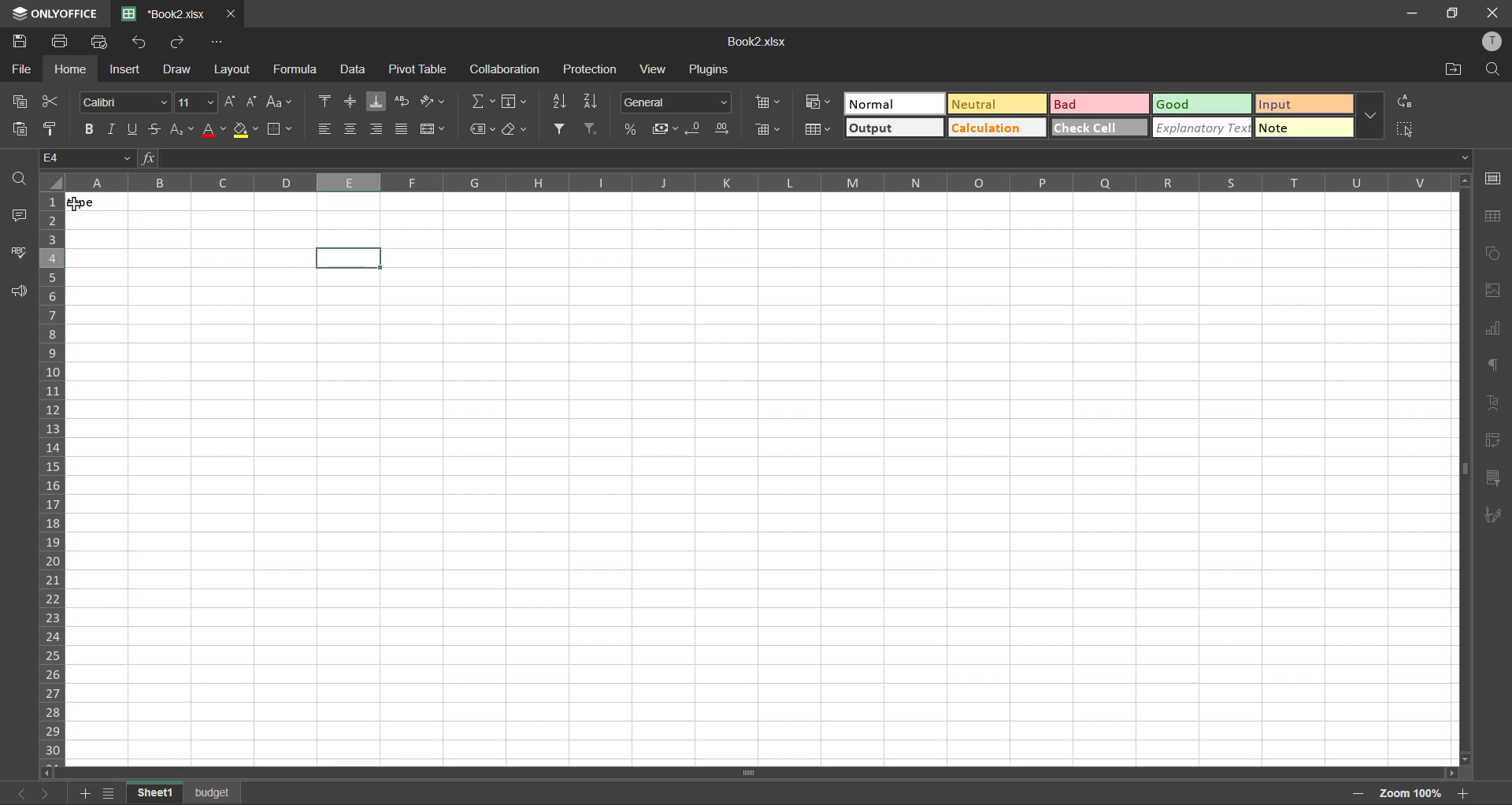 The width and height of the screenshot is (1512, 805). I want to click on table, so click(1497, 216).